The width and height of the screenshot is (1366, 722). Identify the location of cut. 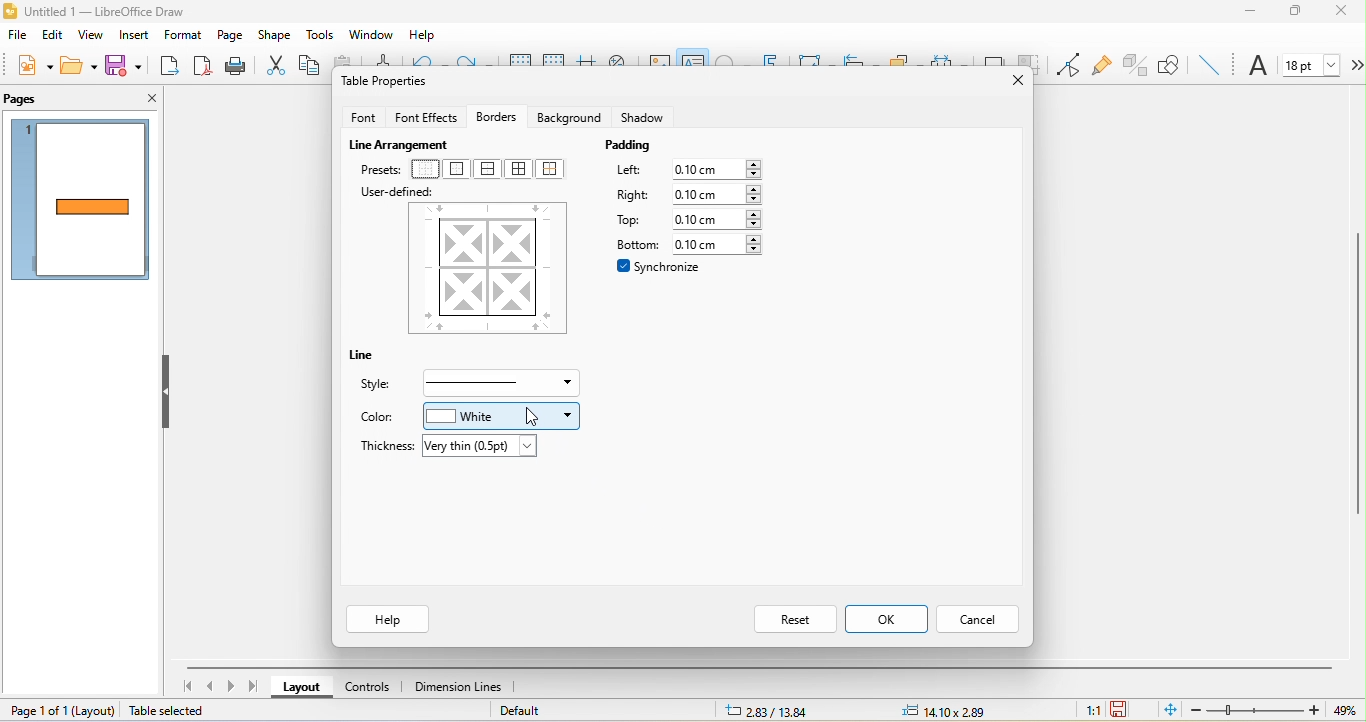
(275, 64).